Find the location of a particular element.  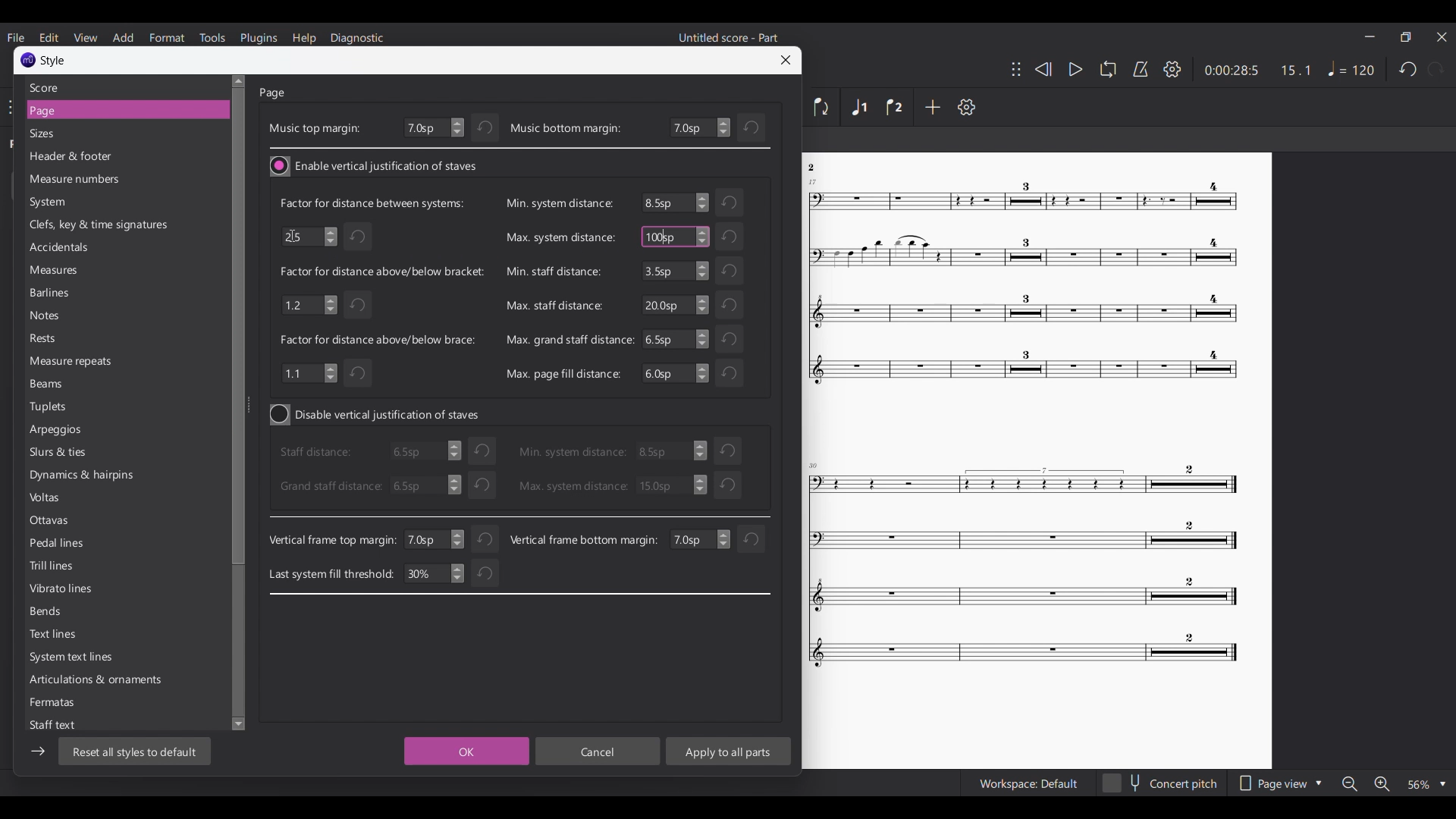

7.0 sp is located at coordinates (435, 539).